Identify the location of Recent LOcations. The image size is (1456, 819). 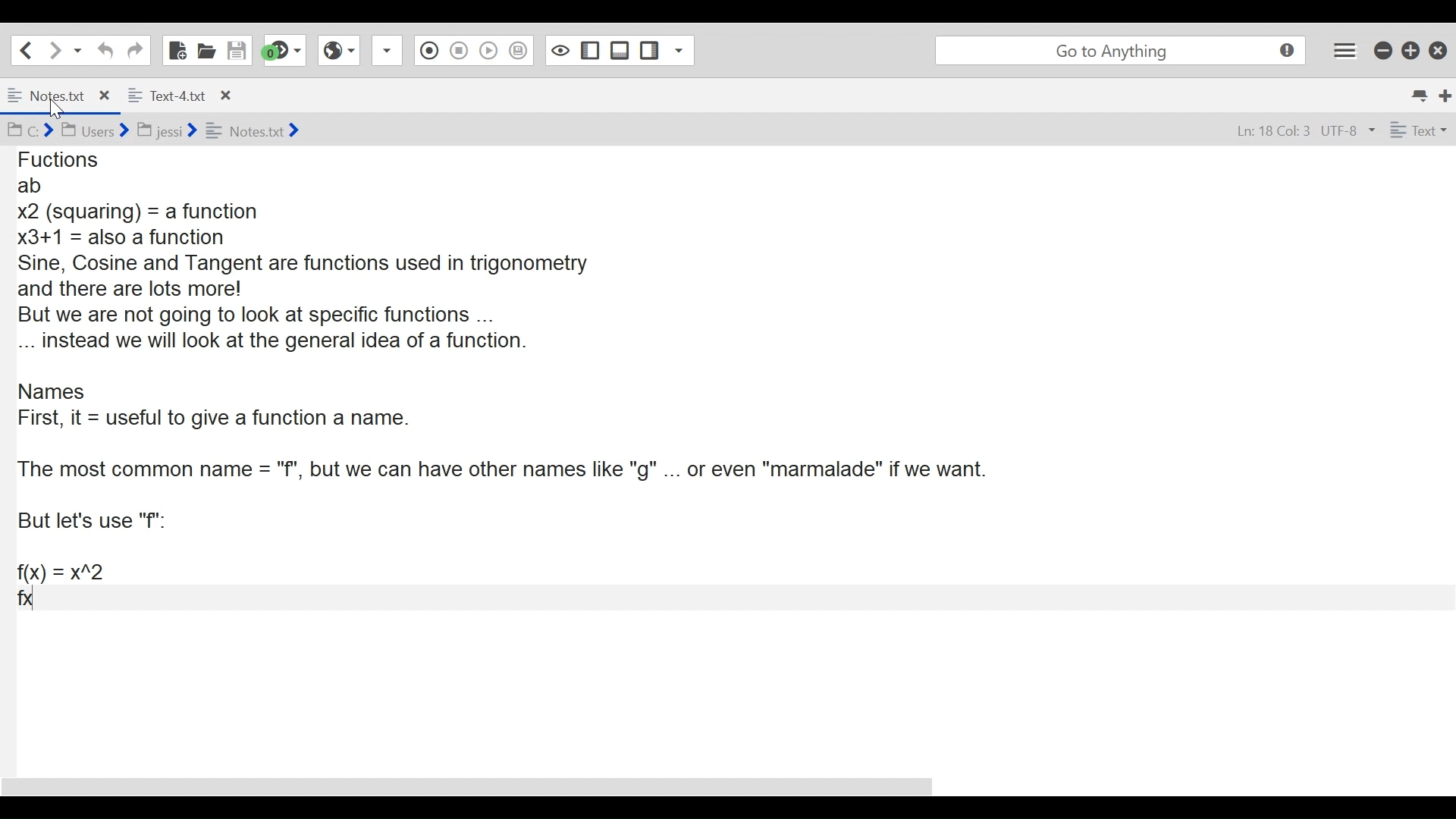
(78, 49).